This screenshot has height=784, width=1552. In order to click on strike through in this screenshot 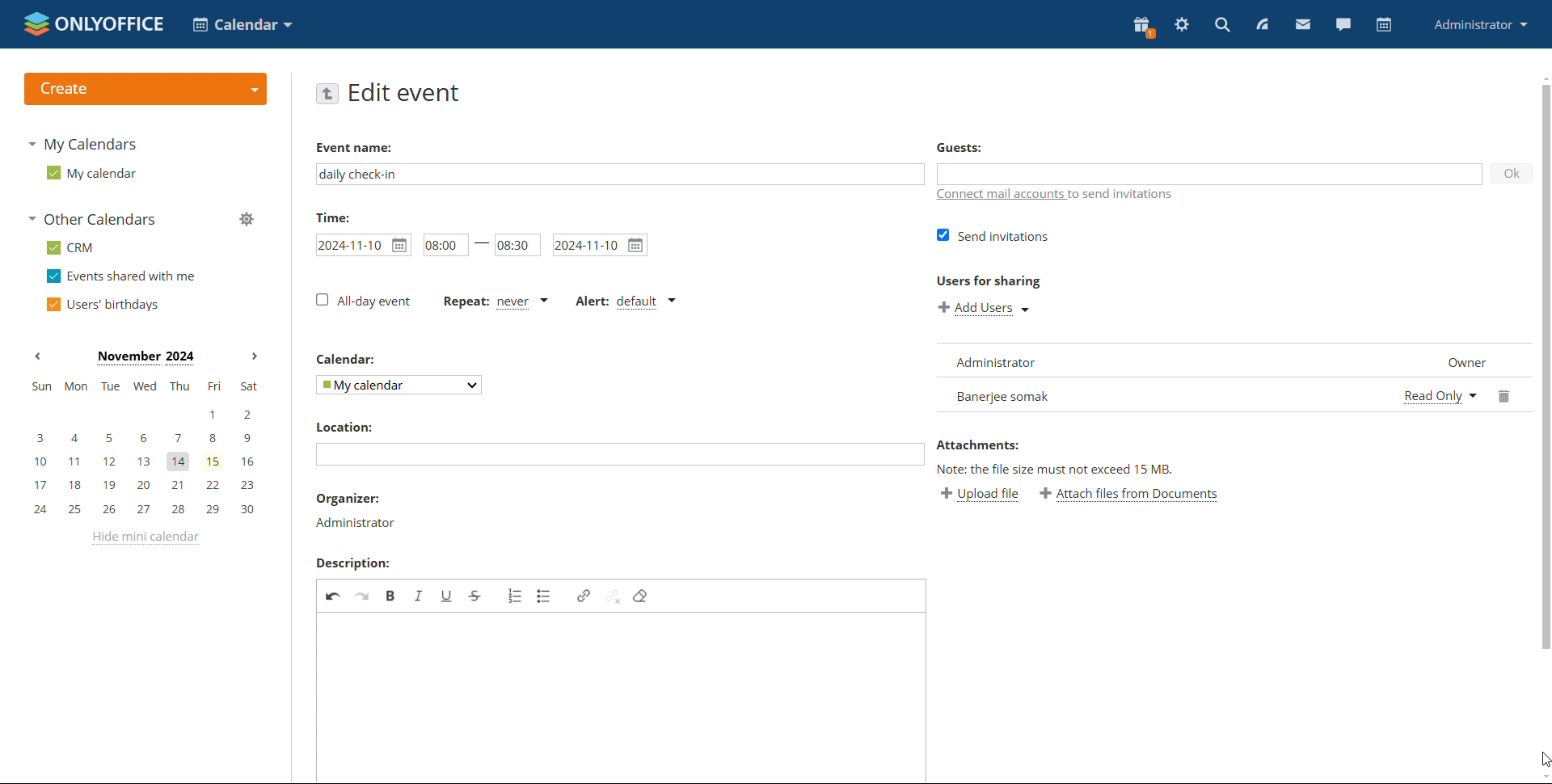, I will do `click(476, 596)`.